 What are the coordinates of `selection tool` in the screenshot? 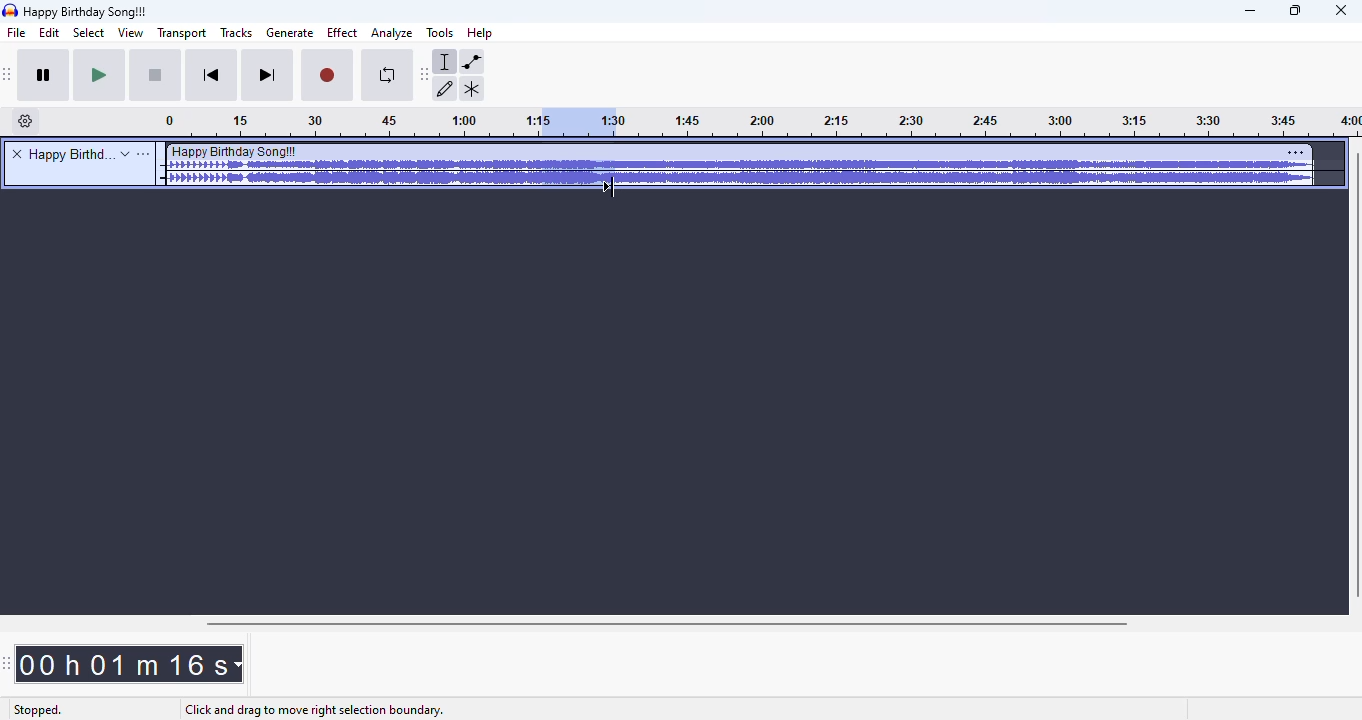 It's located at (446, 62).